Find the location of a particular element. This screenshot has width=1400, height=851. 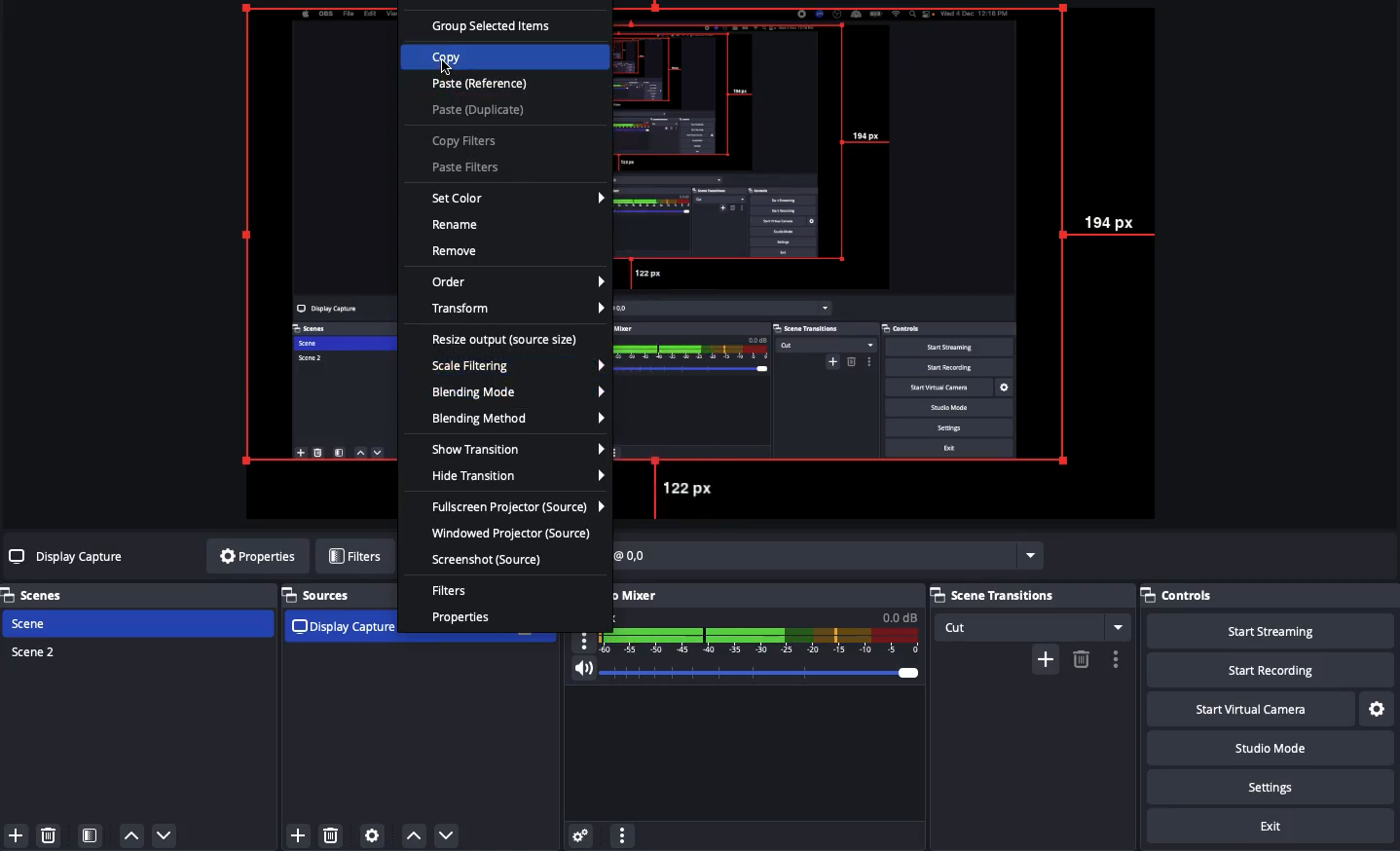

Sources preference is located at coordinates (373, 832).